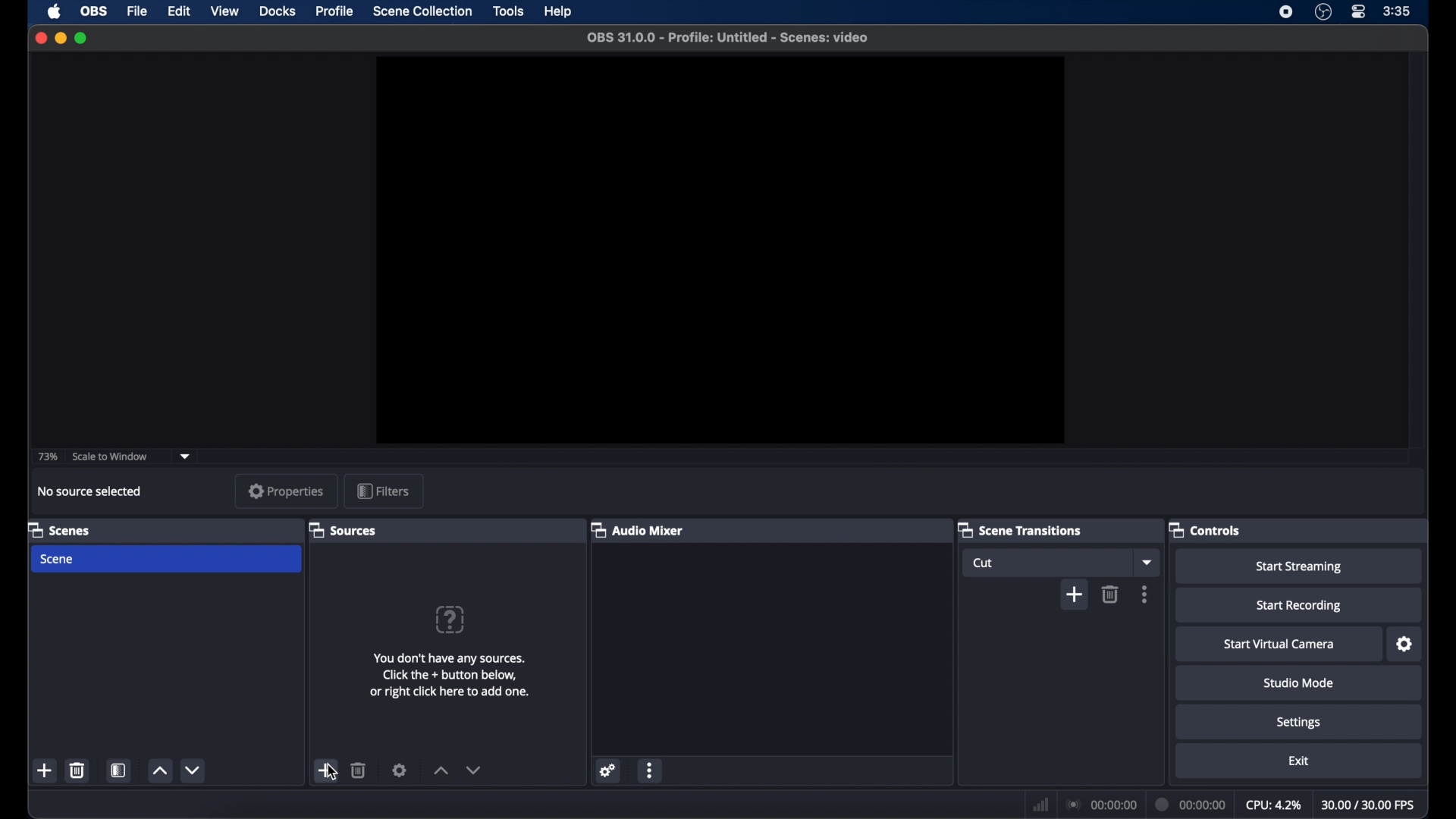 This screenshot has height=819, width=1456. Describe the element at coordinates (118, 770) in the screenshot. I see `scene filters` at that location.